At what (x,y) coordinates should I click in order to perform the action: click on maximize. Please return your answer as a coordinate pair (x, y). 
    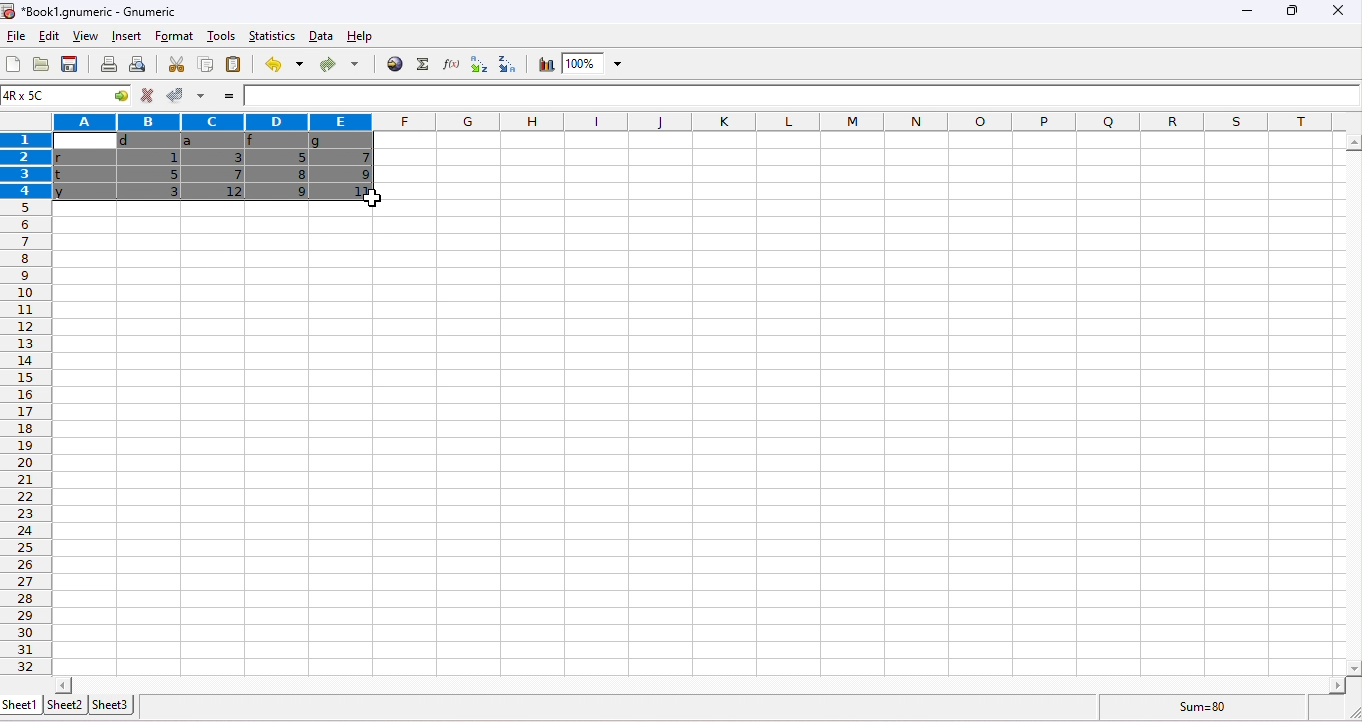
    Looking at the image, I should click on (1293, 13).